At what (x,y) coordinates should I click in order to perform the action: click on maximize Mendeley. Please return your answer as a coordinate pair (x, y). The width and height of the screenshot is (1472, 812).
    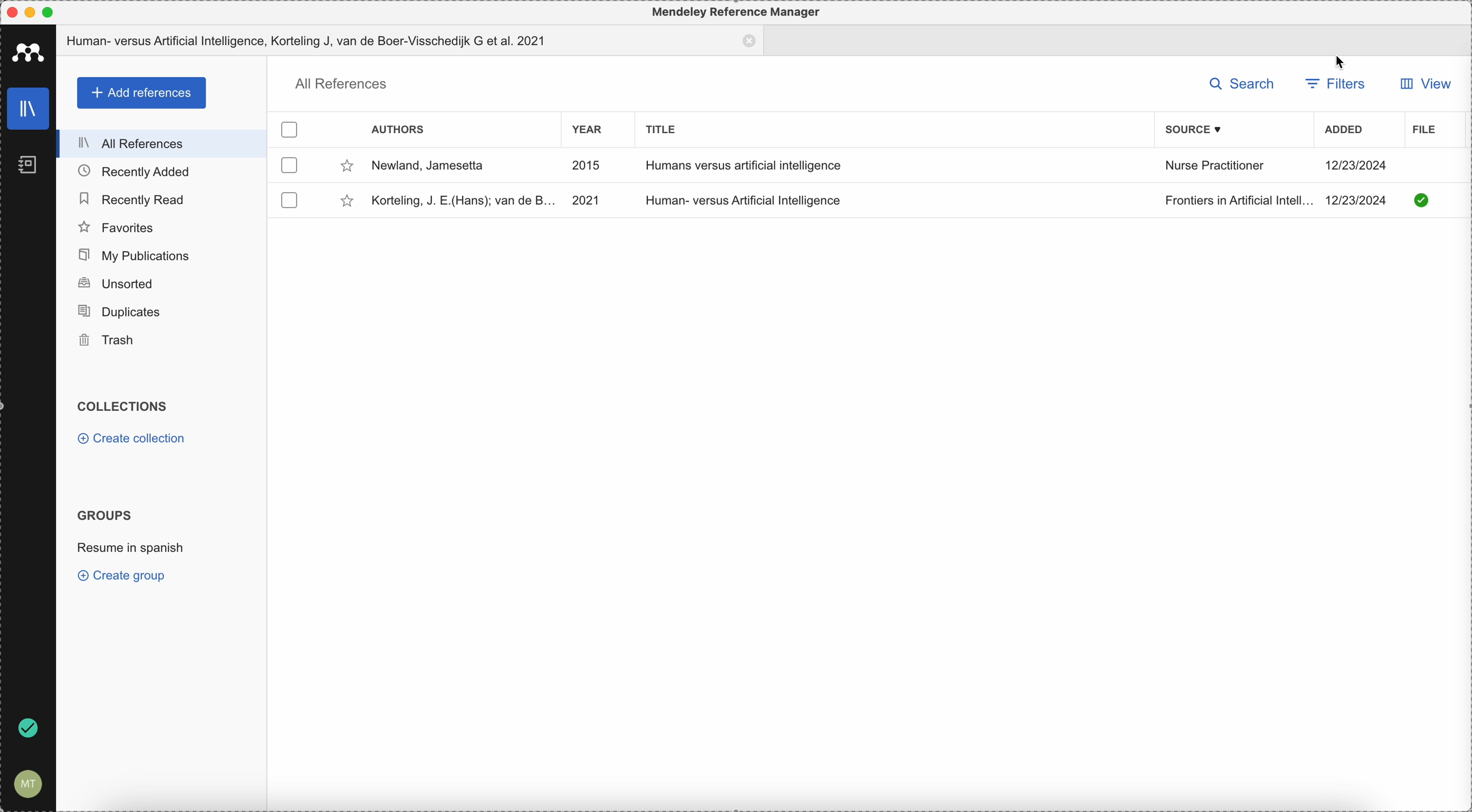
    Looking at the image, I should click on (54, 10).